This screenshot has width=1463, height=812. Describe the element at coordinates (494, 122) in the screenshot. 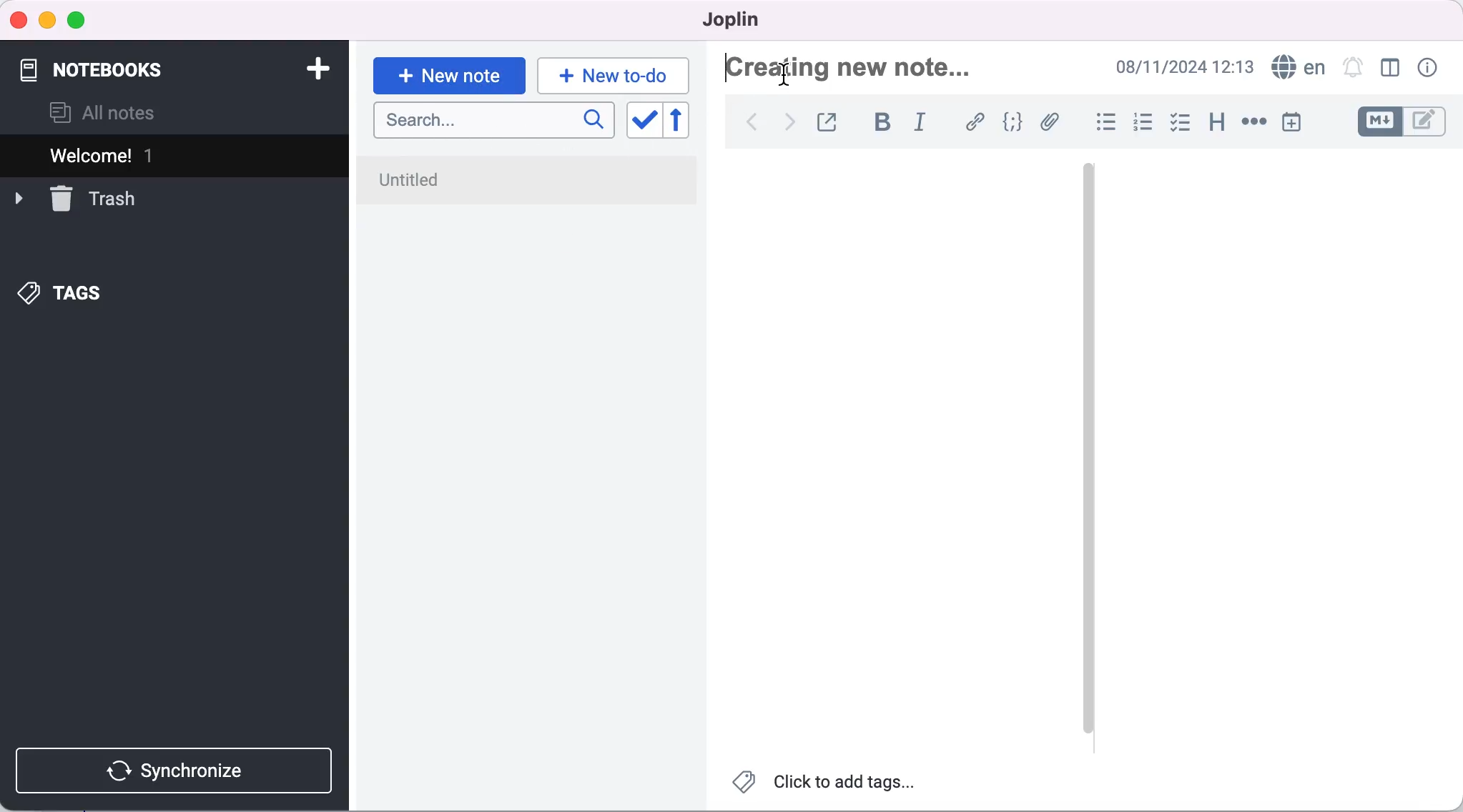

I see `search` at that location.